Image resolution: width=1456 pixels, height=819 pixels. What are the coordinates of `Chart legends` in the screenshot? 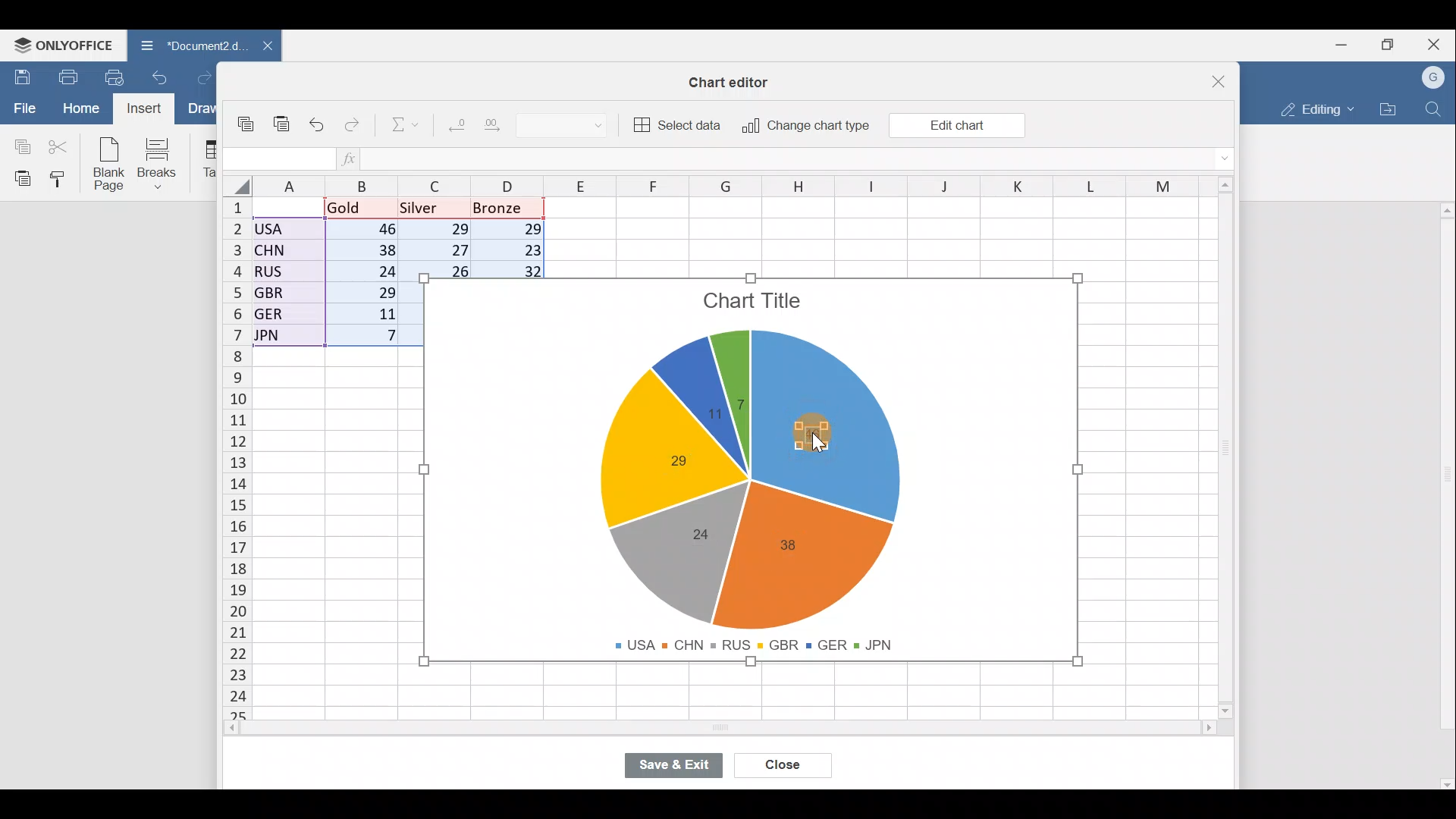 It's located at (761, 642).